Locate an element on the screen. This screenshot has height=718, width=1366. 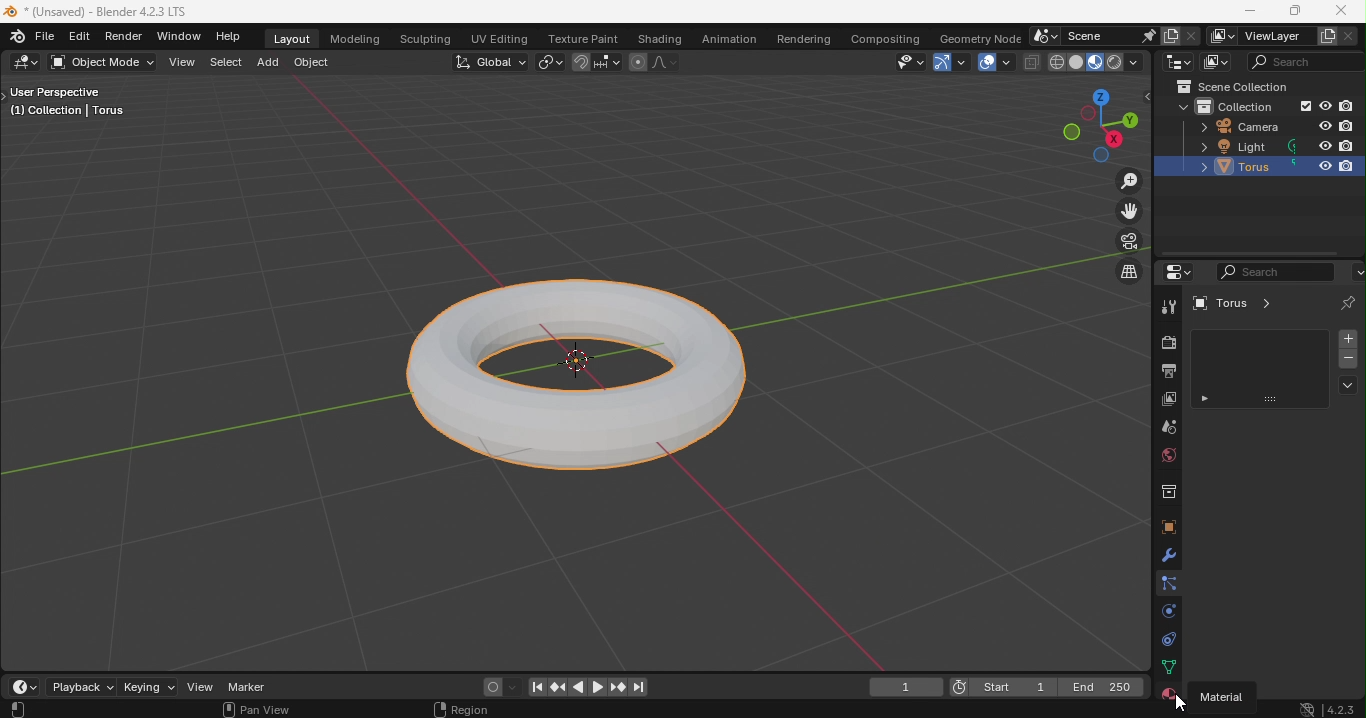
Add particle system slot is located at coordinates (1347, 338).